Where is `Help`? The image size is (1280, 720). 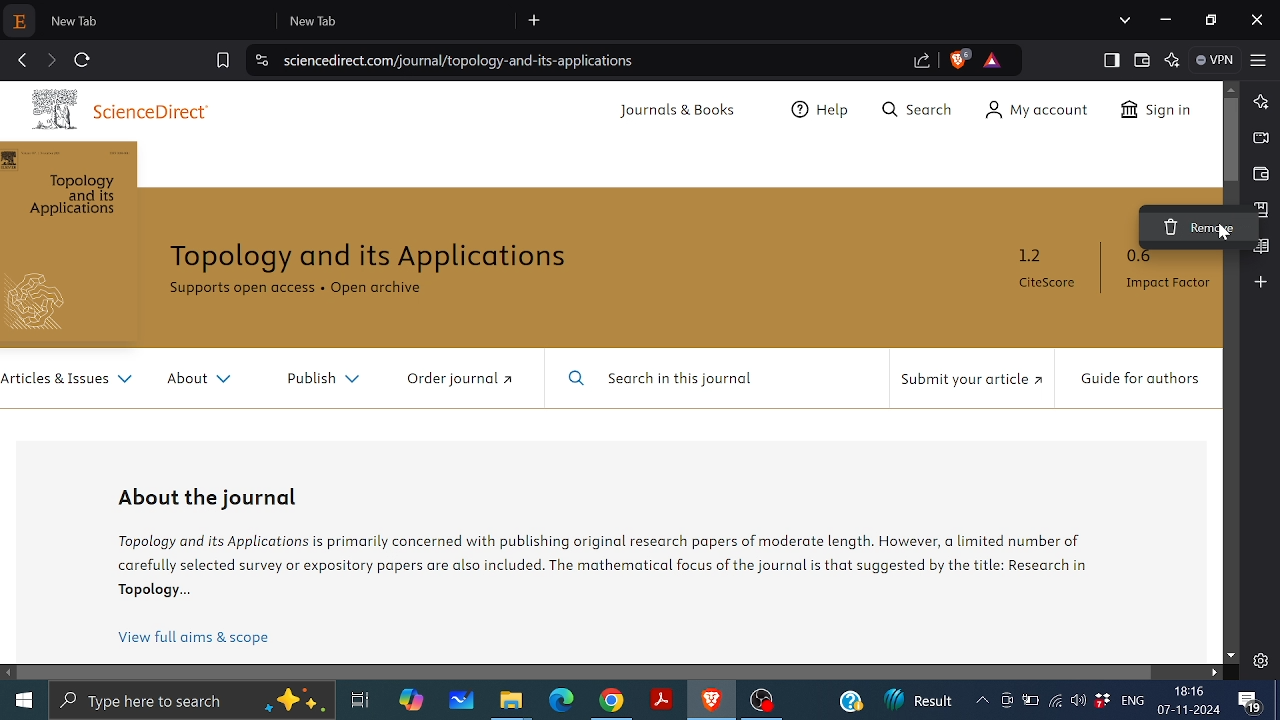 Help is located at coordinates (849, 701).